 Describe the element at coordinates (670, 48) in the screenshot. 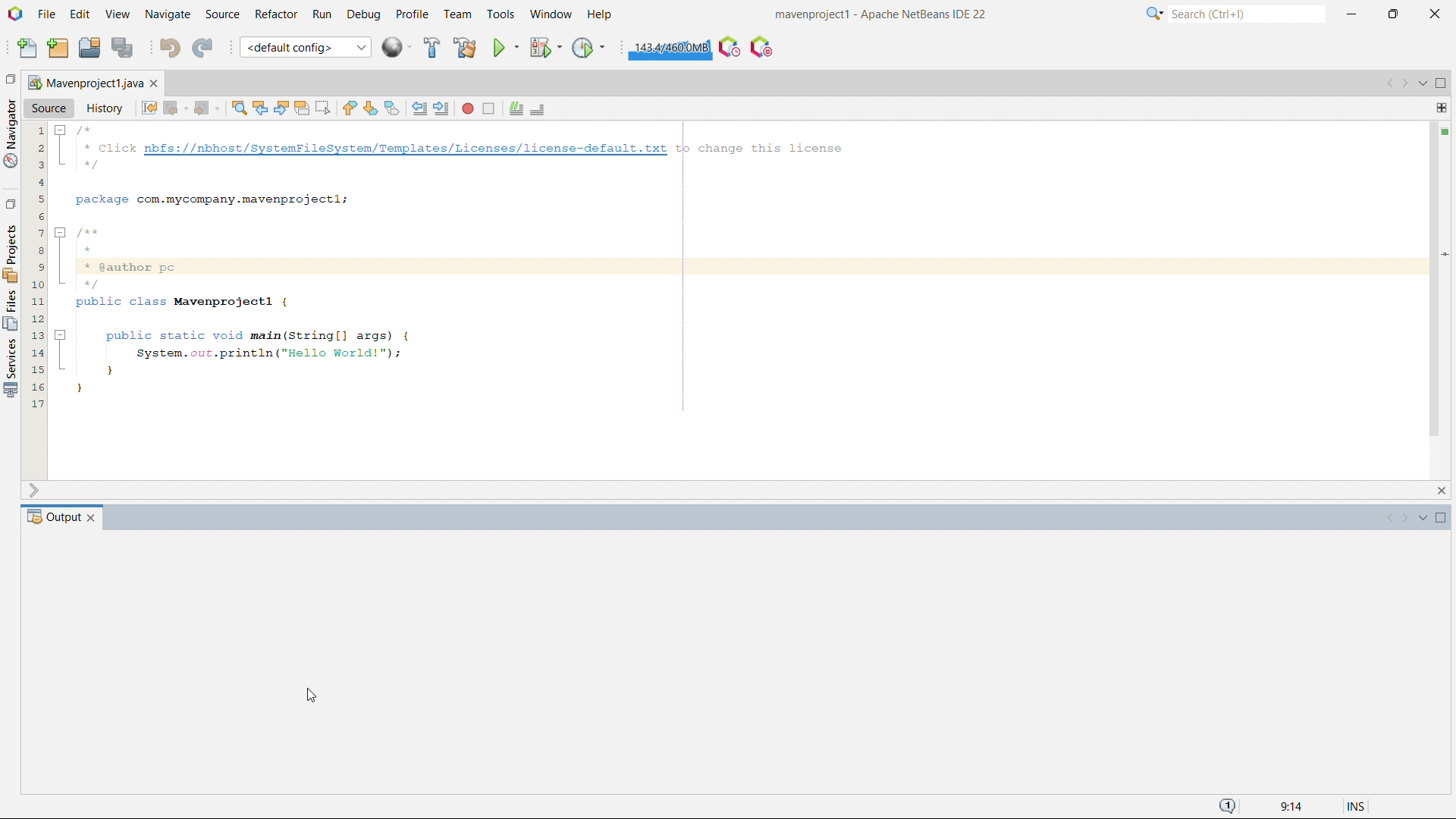

I see `click to force garbage collection` at that location.